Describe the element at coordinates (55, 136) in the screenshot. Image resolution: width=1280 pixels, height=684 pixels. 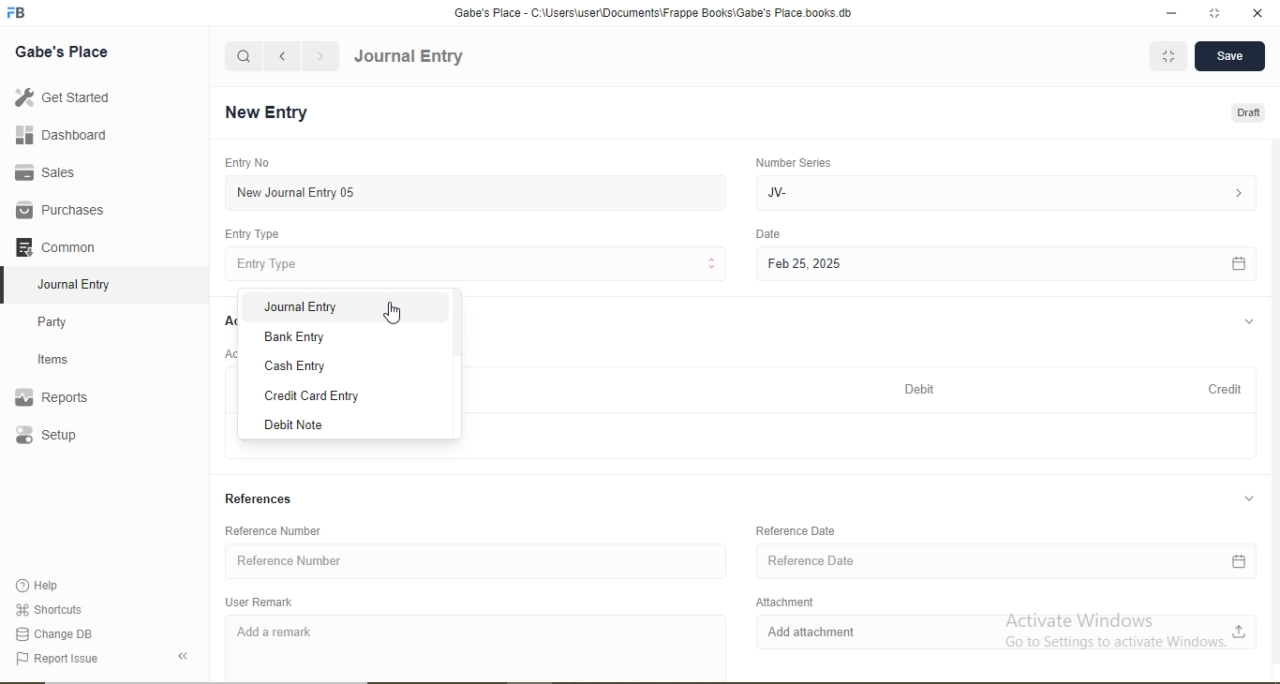
I see `Dashboard` at that location.